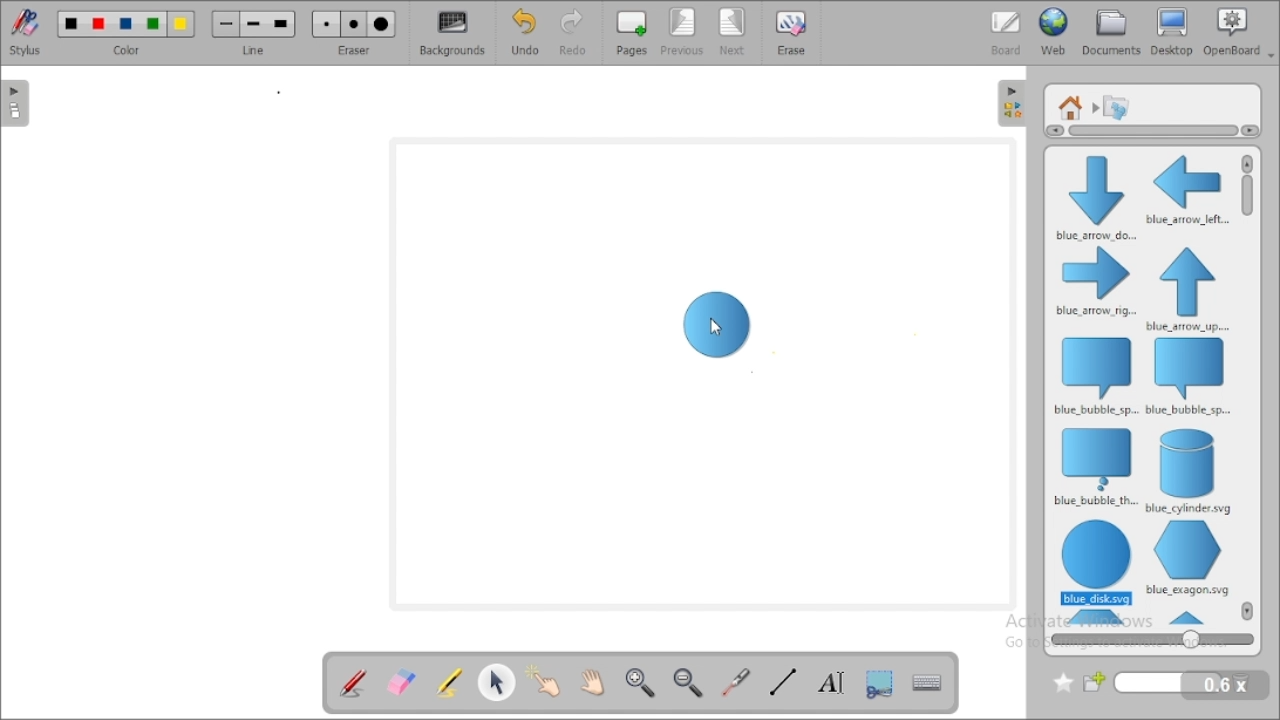 The image size is (1280, 720). Describe the element at coordinates (1112, 32) in the screenshot. I see `documents` at that location.